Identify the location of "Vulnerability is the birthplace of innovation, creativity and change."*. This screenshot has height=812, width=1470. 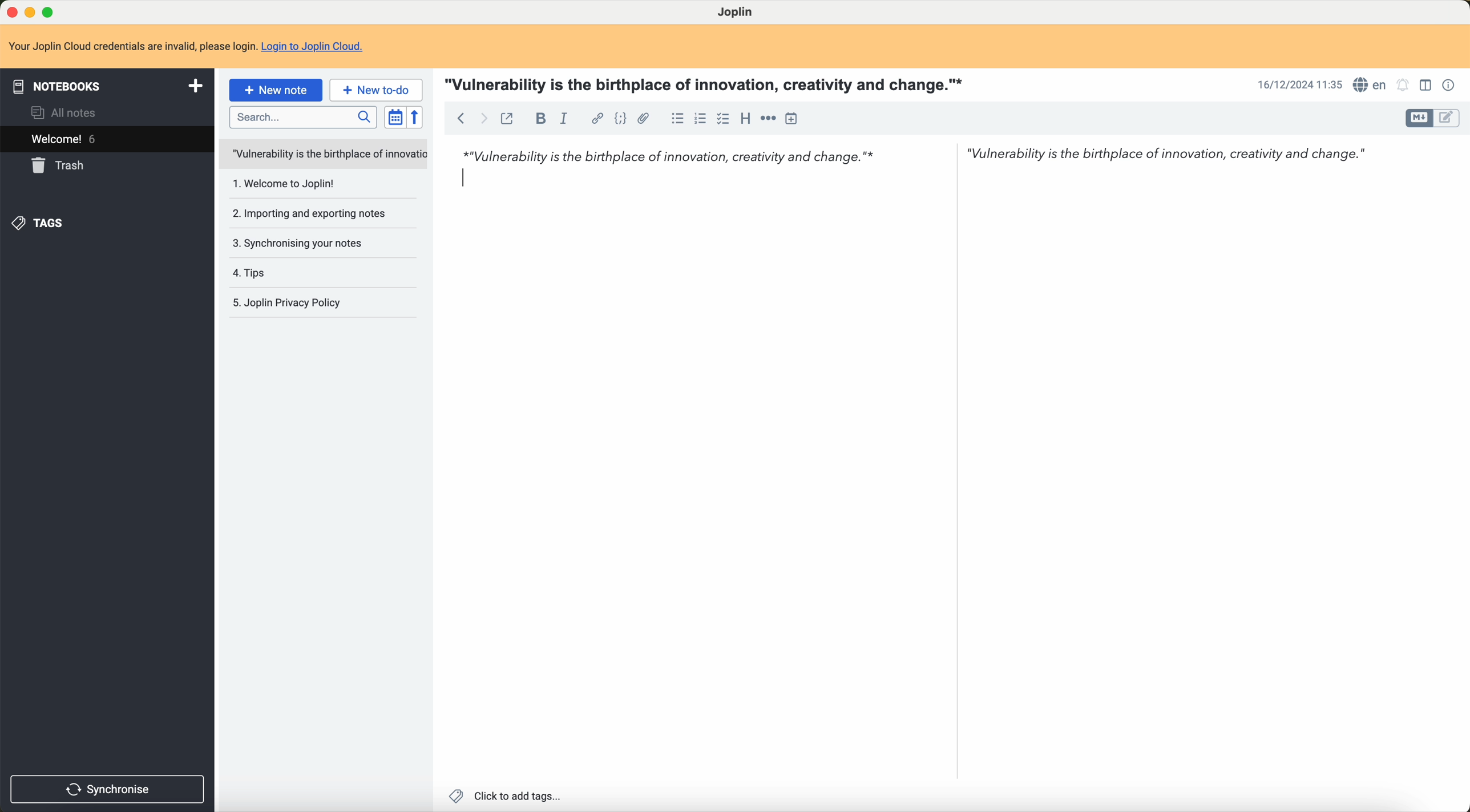
(708, 83).